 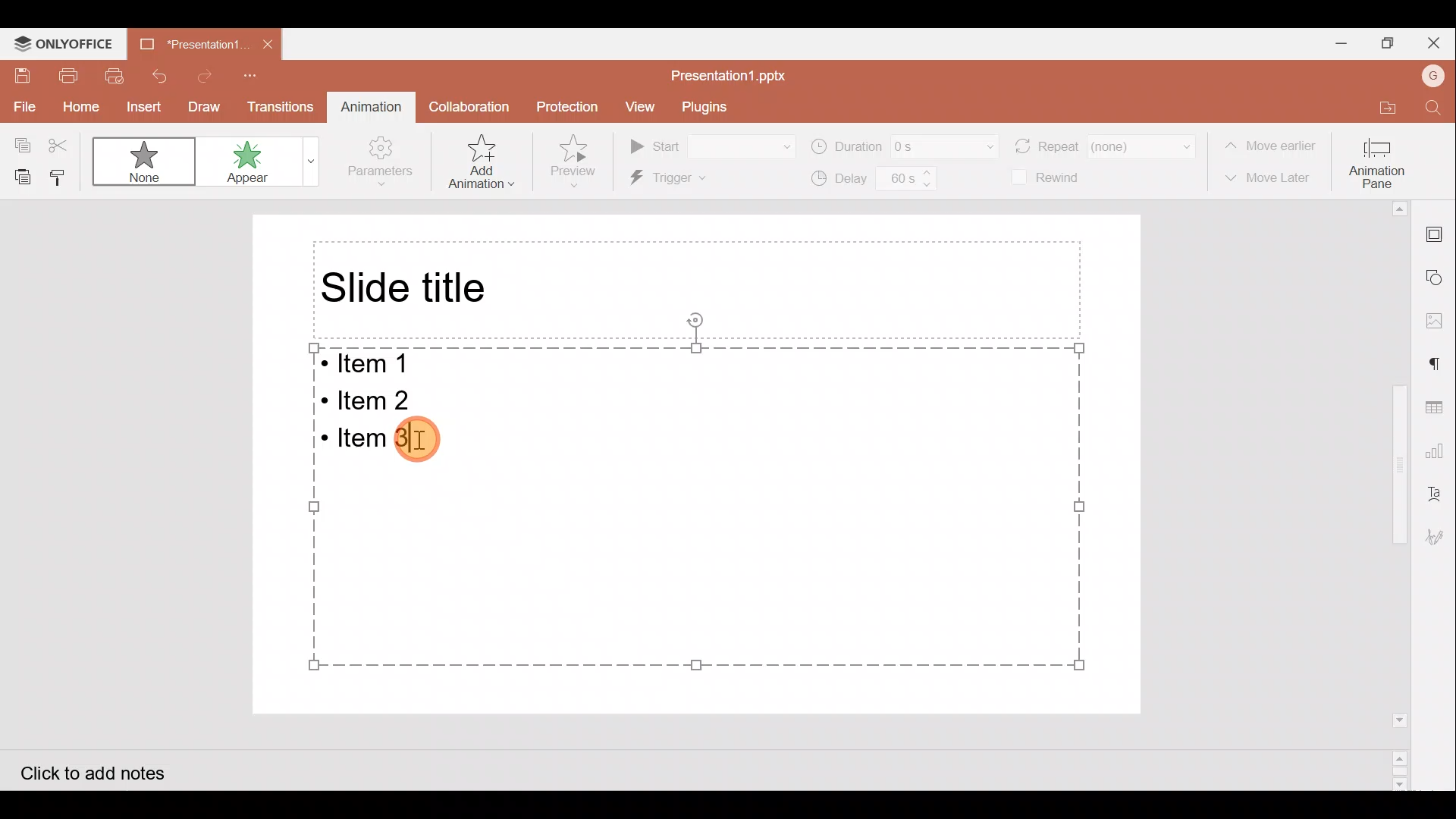 What do you see at coordinates (22, 175) in the screenshot?
I see `Paste` at bounding box center [22, 175].